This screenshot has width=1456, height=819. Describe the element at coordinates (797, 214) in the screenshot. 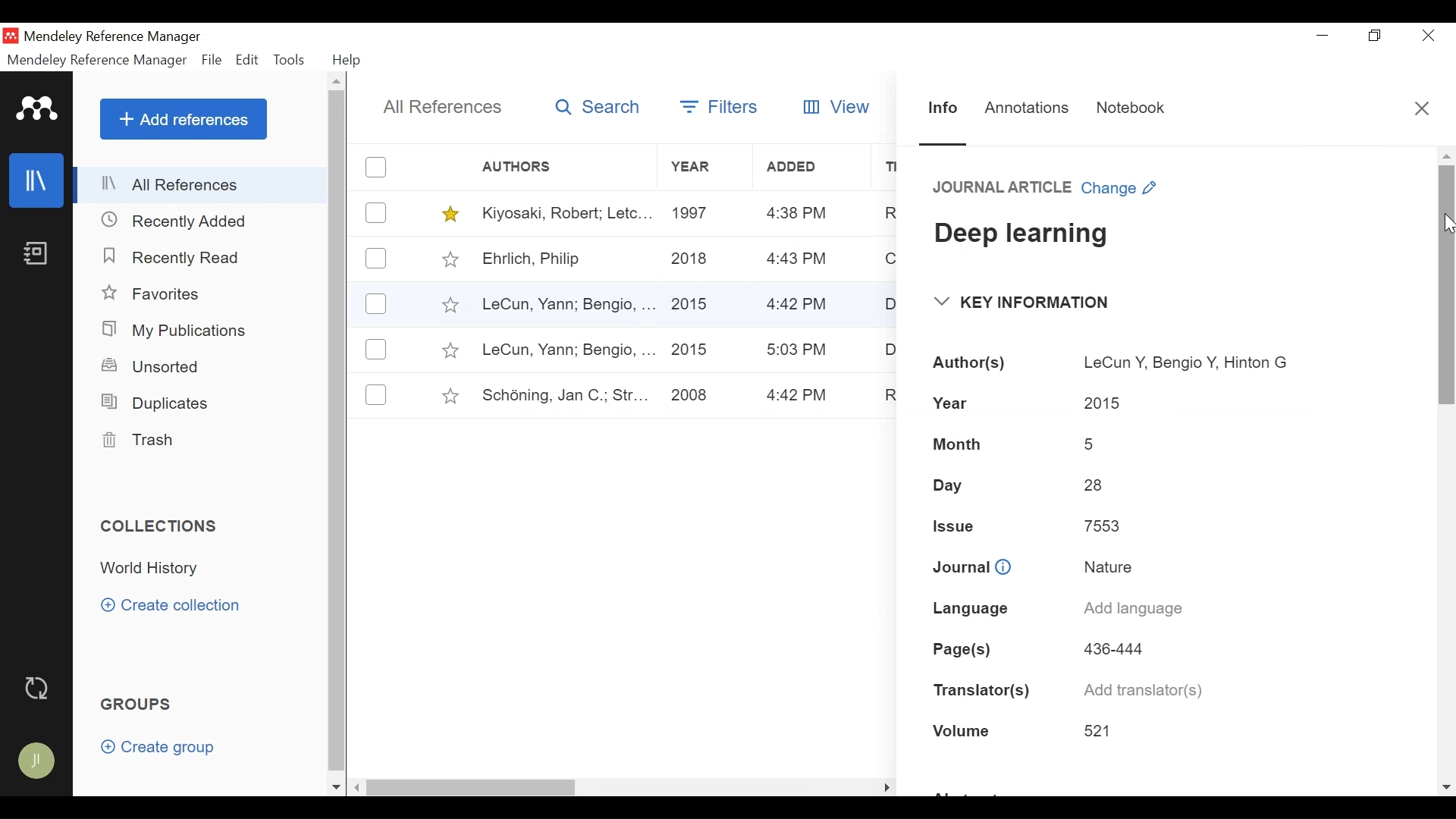

I see `4:43 PM` at that location.